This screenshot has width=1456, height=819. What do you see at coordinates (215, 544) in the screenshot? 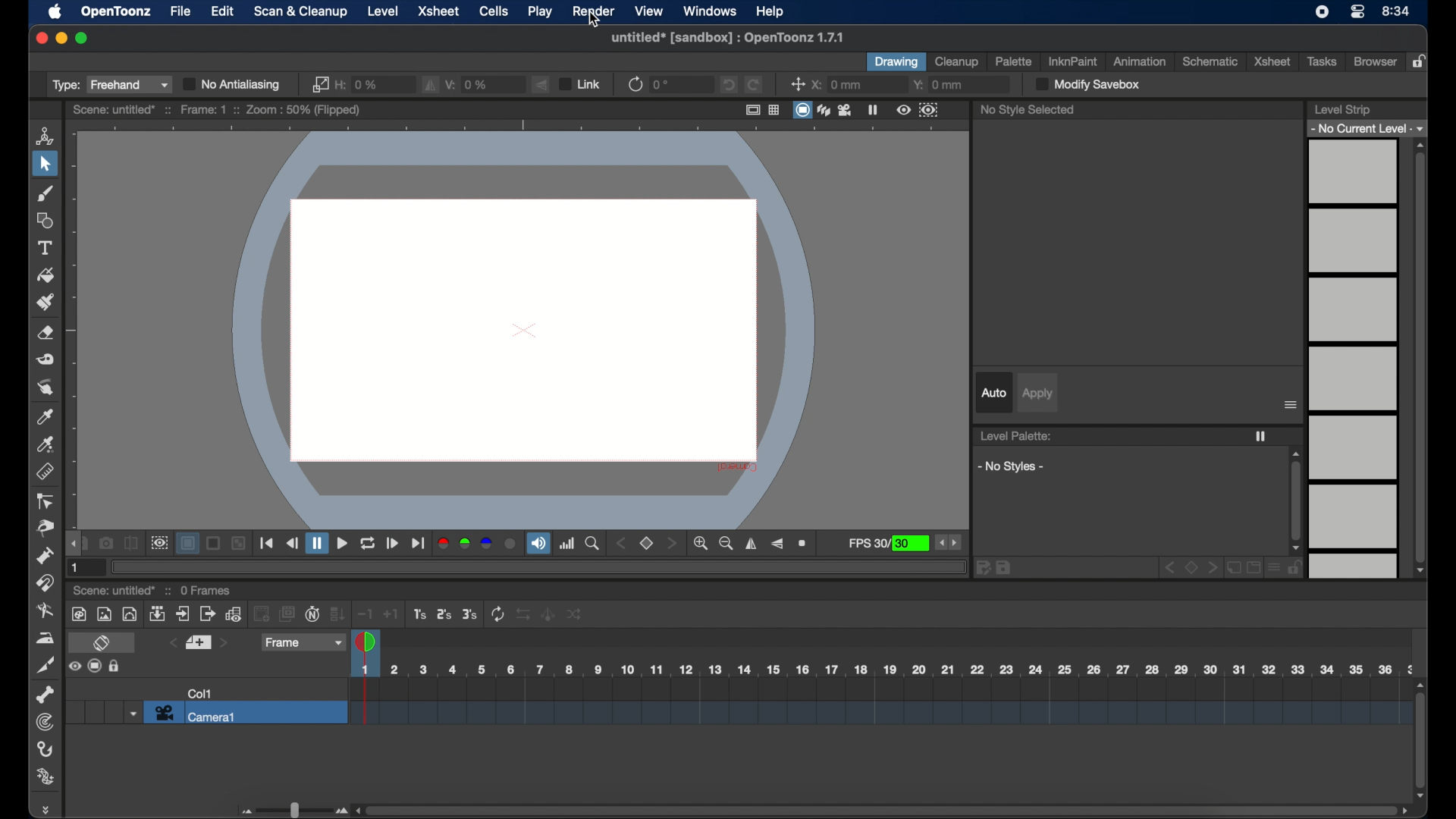
I see `` at bounding box center [215, 544].